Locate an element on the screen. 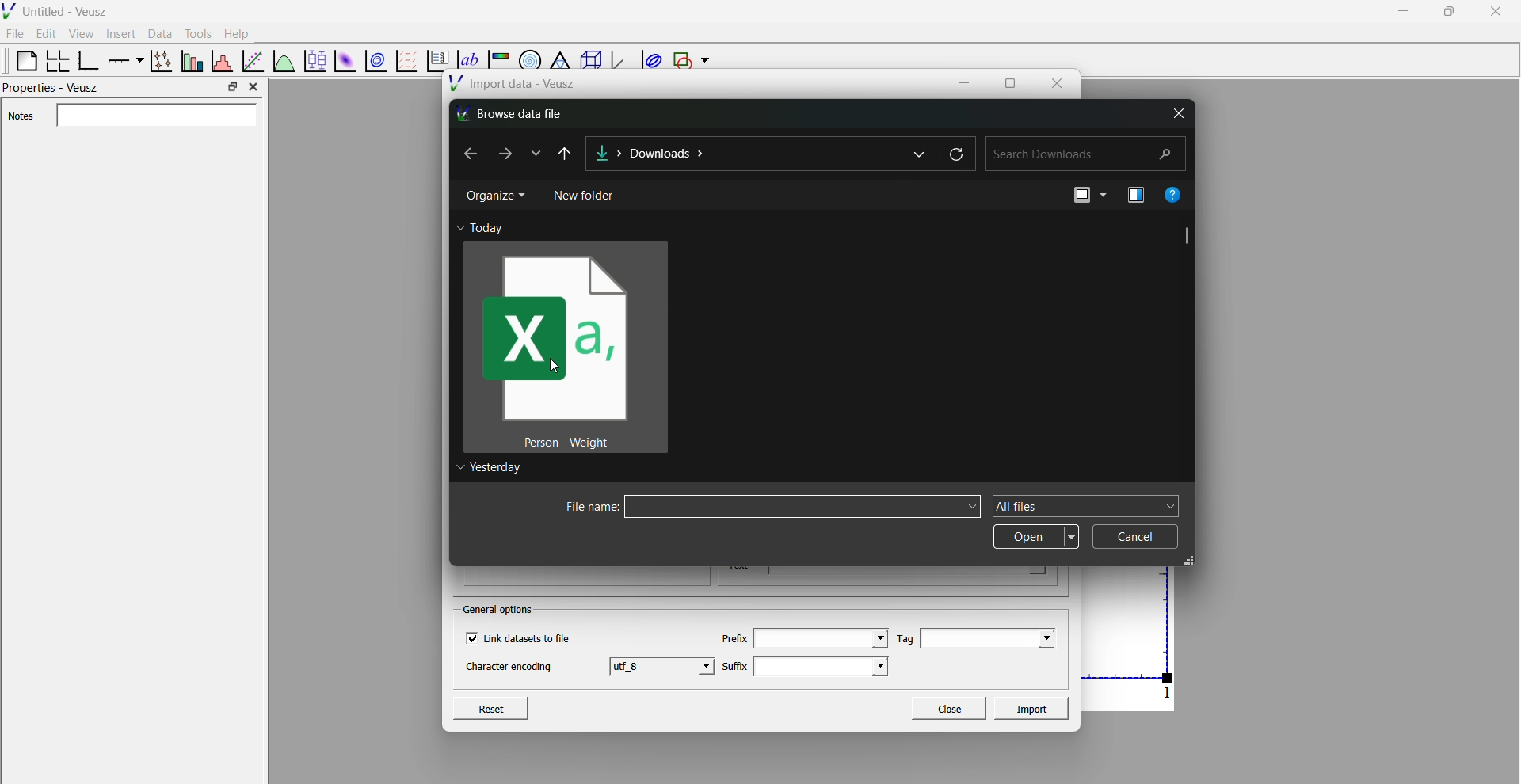 The image size is (1521, 784). dropdown is located at coordinates (968, 484).